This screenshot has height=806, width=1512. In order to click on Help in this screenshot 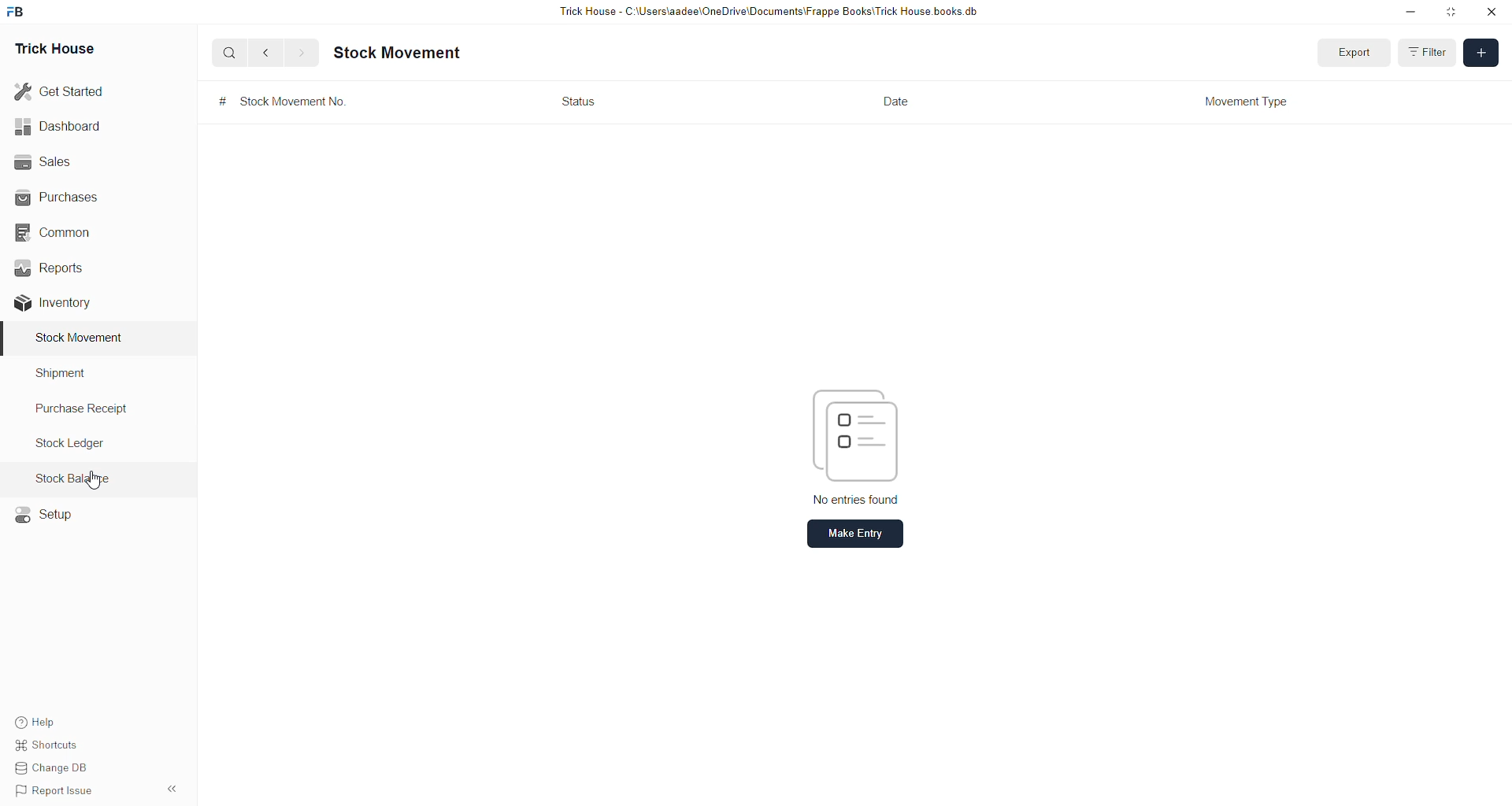, I will do `click(40, 723)`.